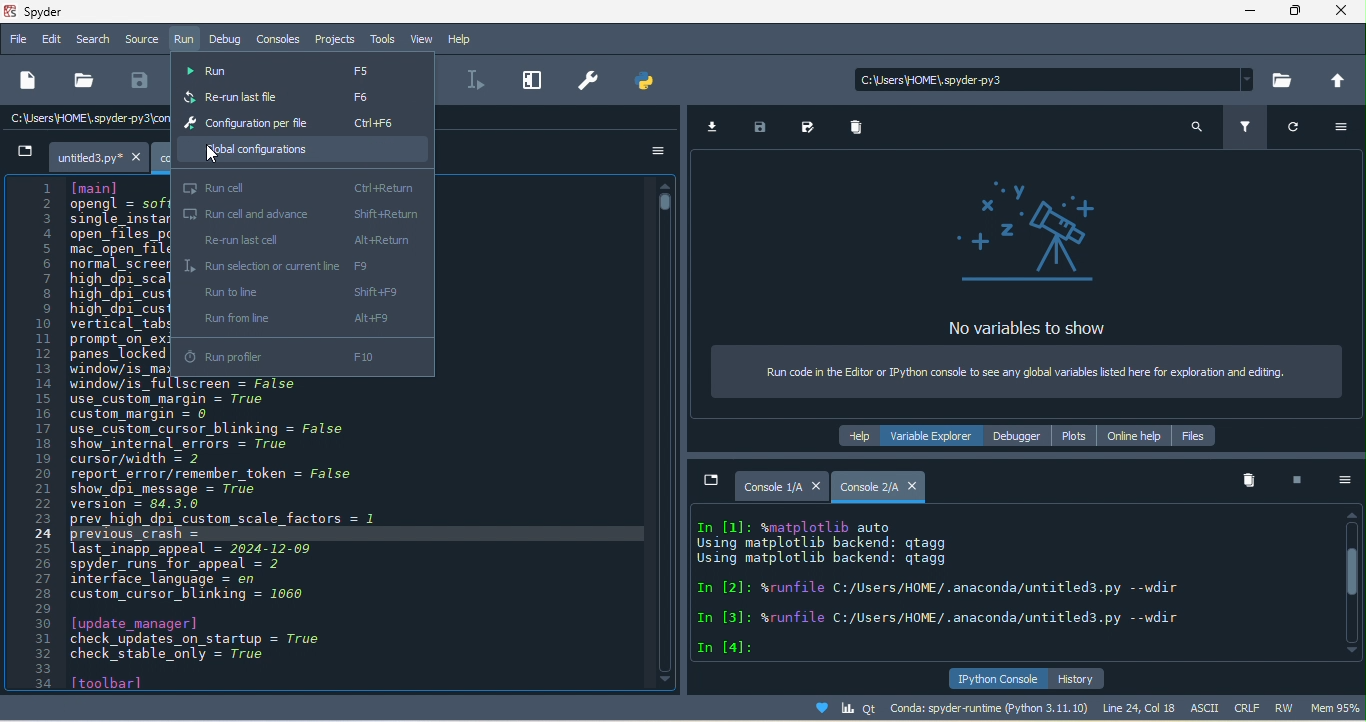  I want to click on untitled.py, so click(77, 155).